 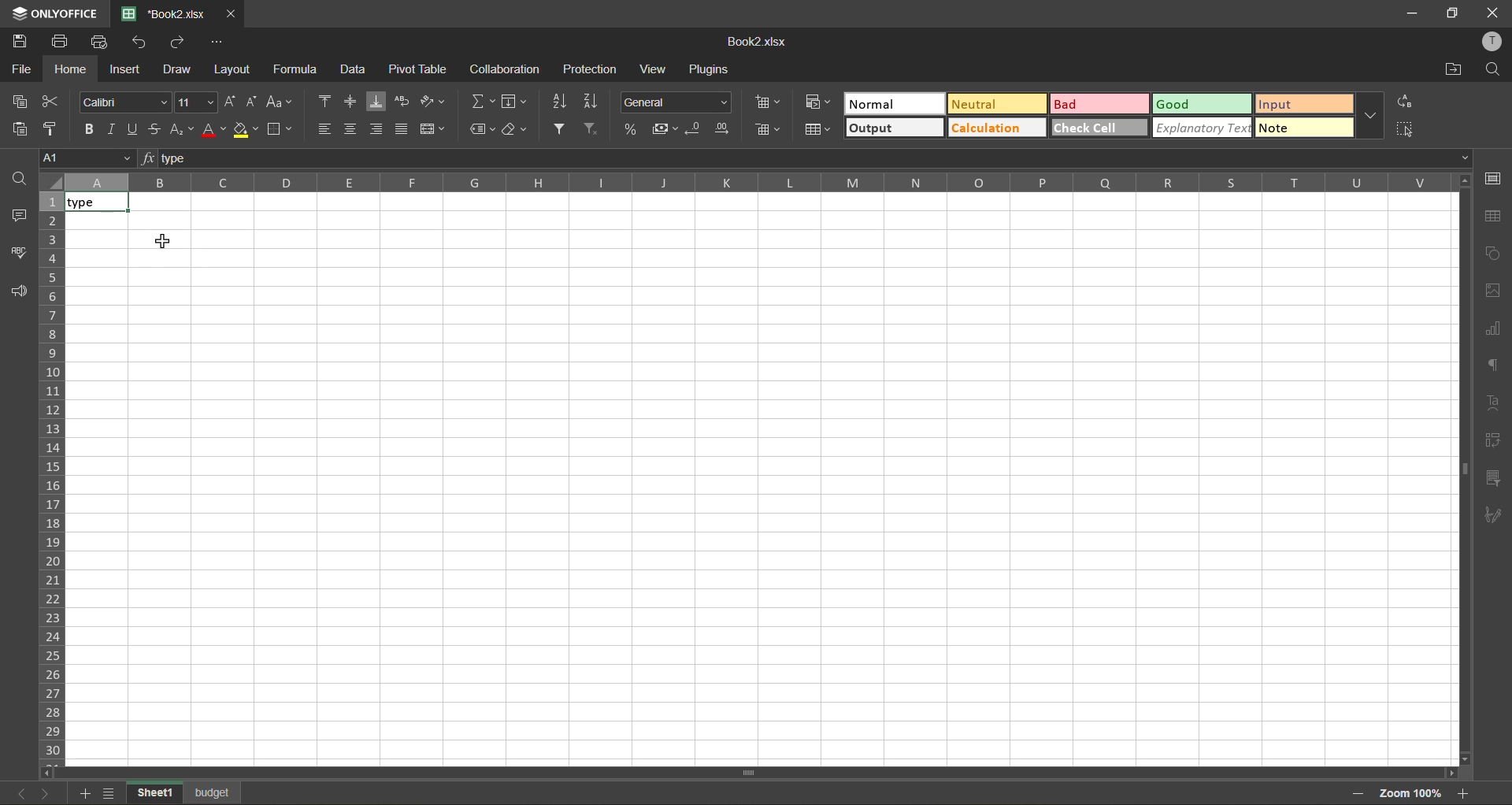 What do you see at coordinates (758, 492) in the screenshot?
I see `cell input` at bounding box center [758, 492].